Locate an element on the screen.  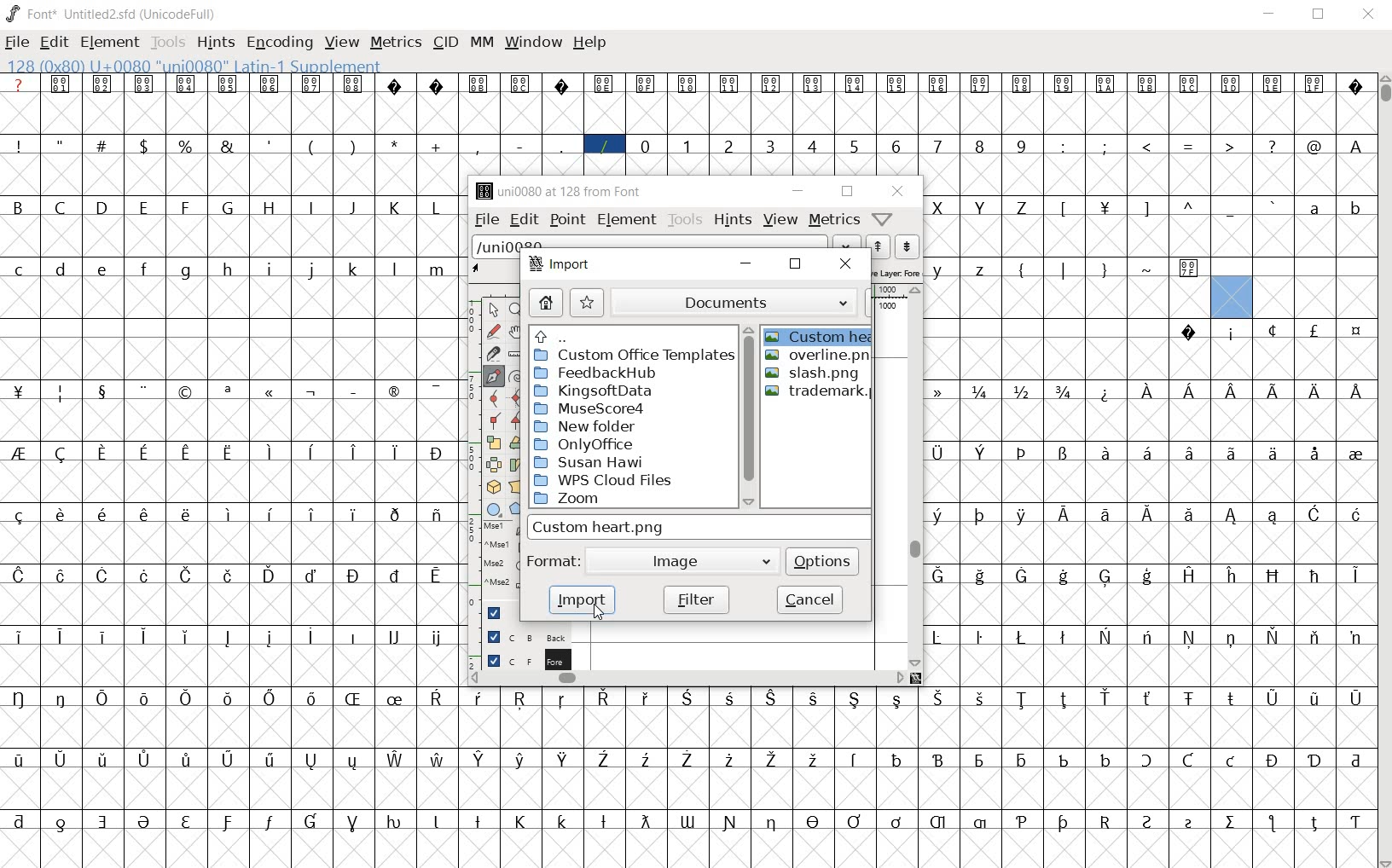
glyph is located at coordinates (1105, 760).